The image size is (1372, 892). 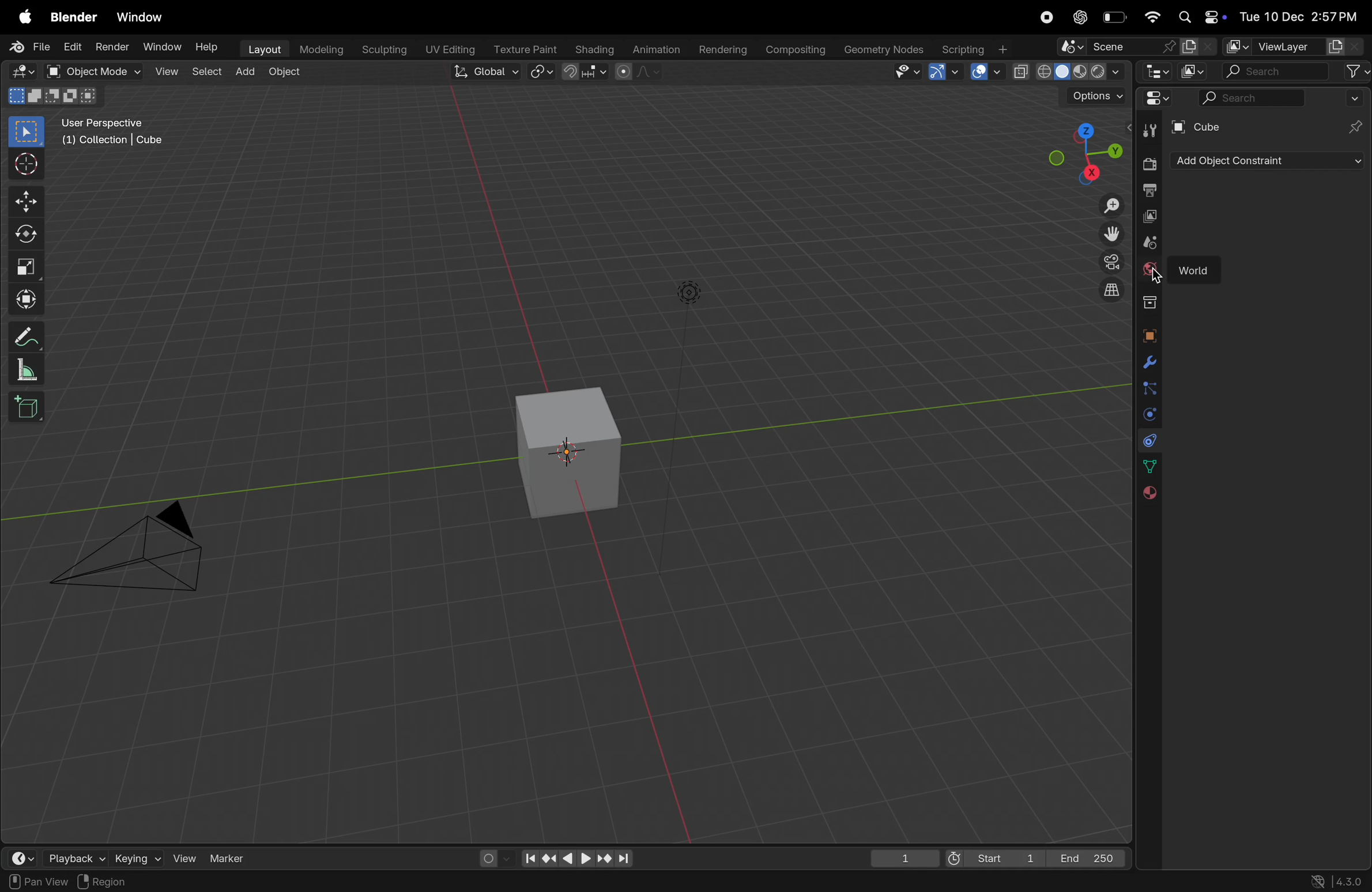 What do you see at coordinates (1152, 18) in the screenshot?
I see `Wifi` at bounding box center [1152, 18].